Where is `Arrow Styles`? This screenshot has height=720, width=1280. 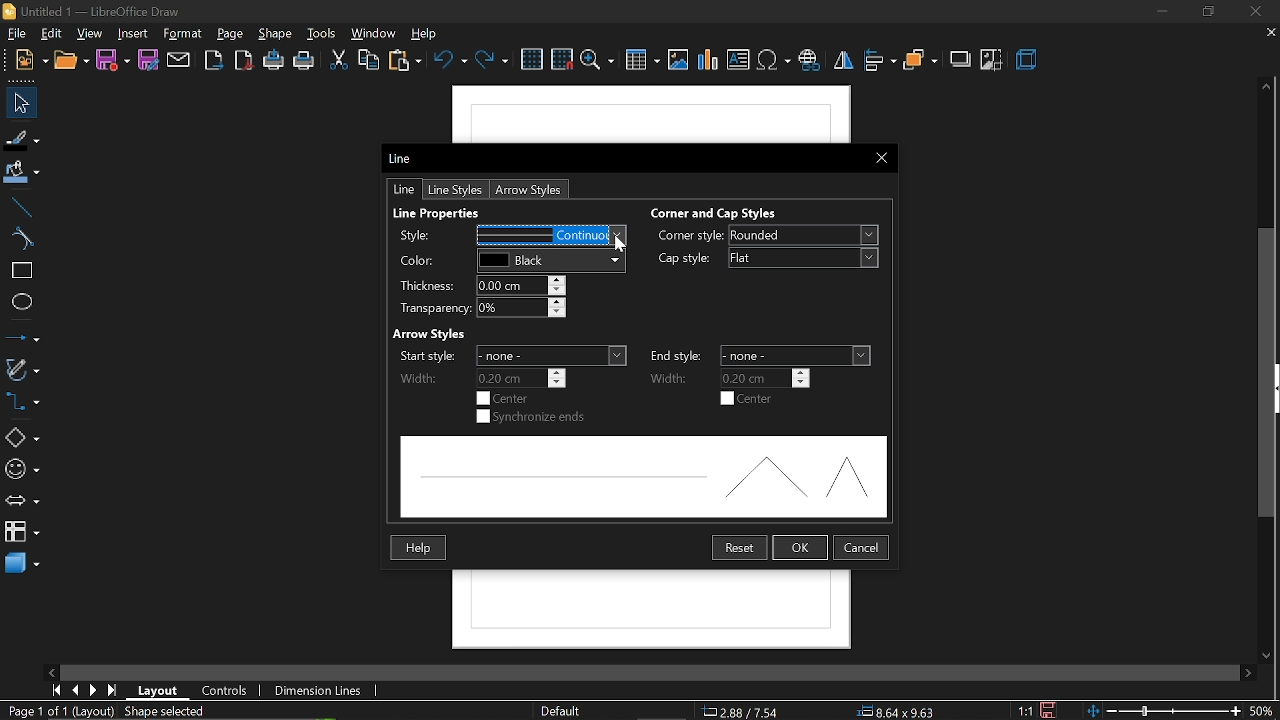 Arrow Styles is located at coordinates (440, 332).